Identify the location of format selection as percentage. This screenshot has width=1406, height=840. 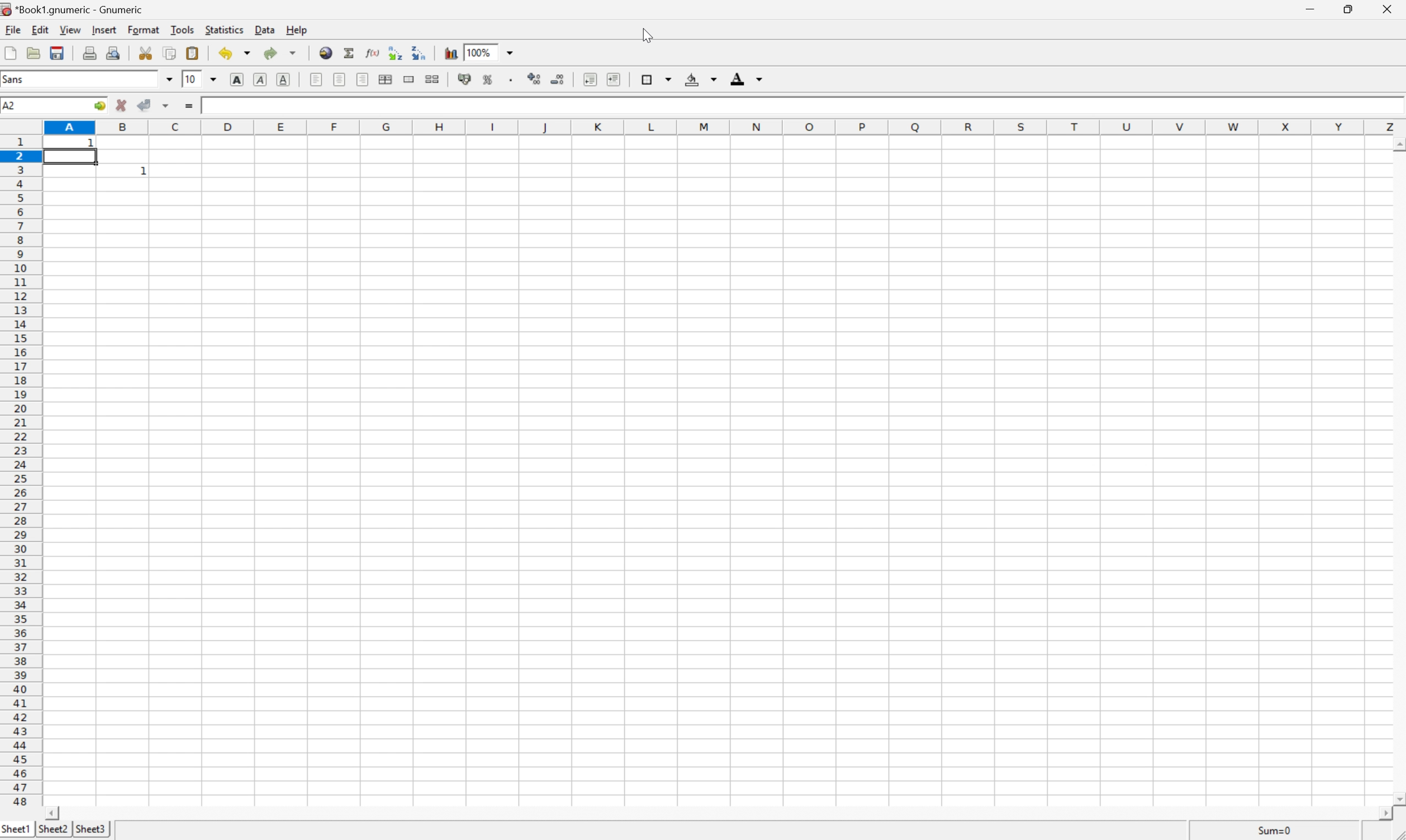
(490, 79).